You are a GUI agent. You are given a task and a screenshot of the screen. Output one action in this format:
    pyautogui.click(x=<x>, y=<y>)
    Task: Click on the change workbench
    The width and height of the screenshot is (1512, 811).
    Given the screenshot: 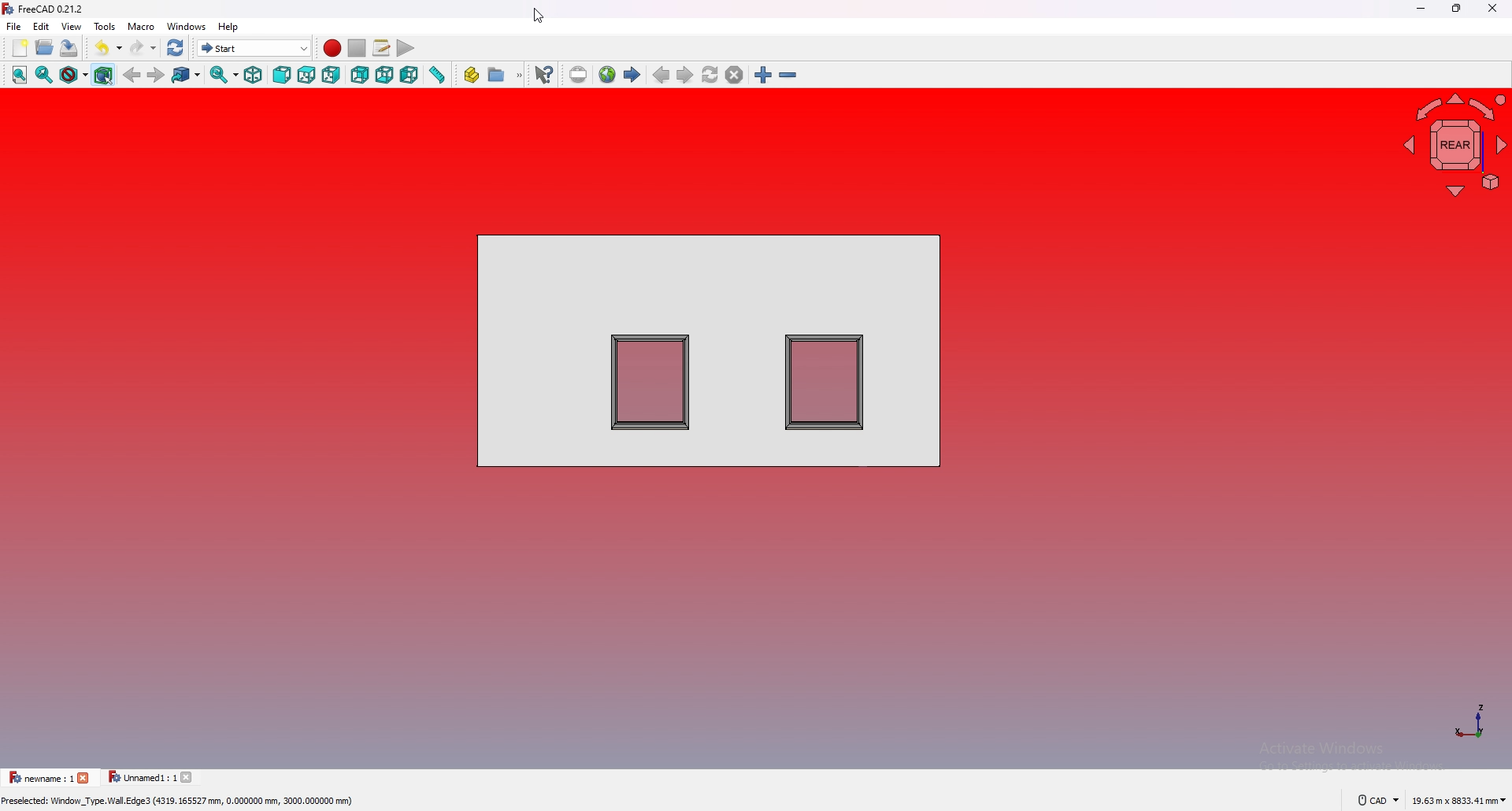 What is the action you would take?
    pyautogui.click(x=255, y=47)
    